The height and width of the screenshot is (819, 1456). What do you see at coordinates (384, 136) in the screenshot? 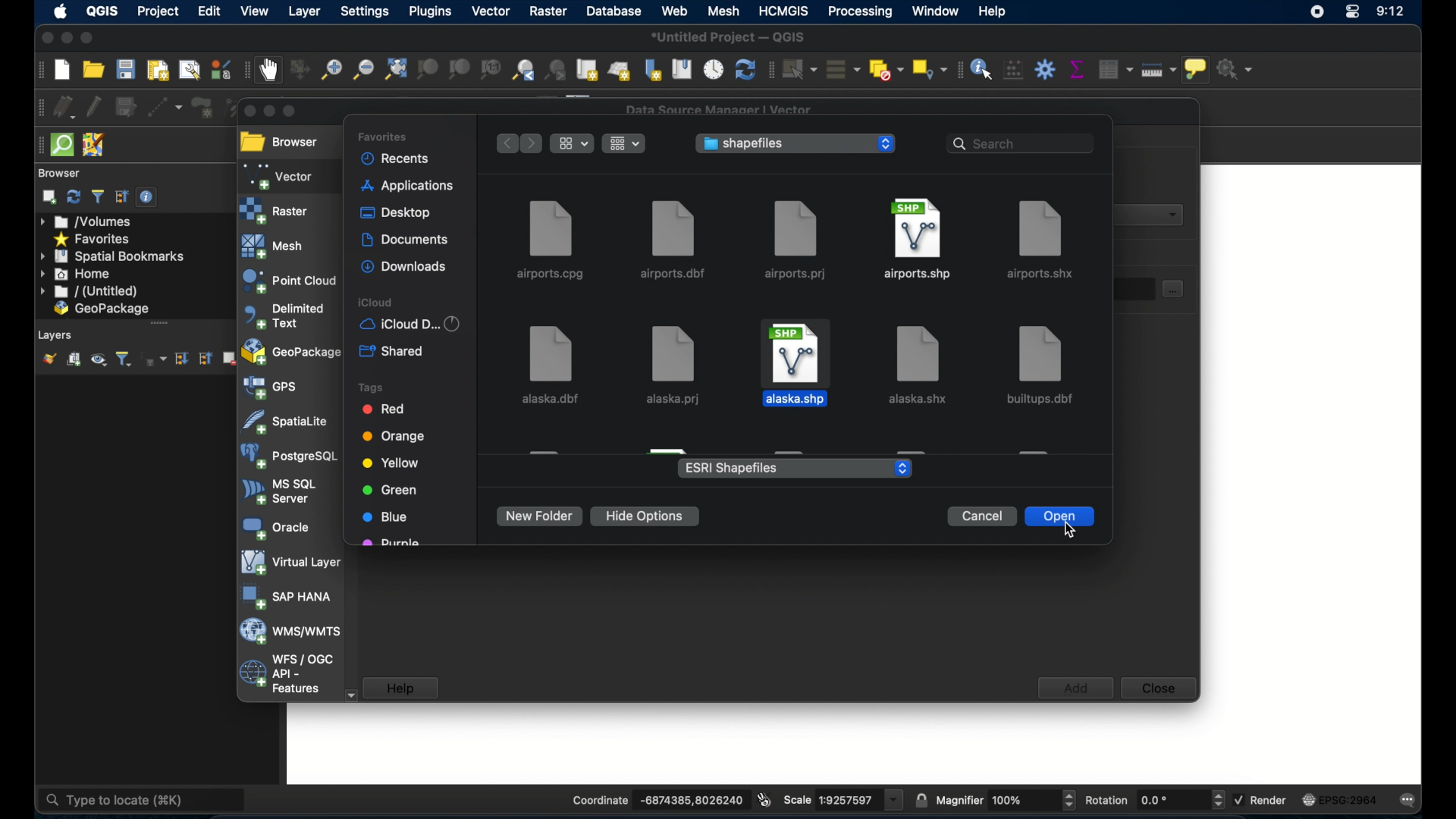
I see `favorites` at bounding box center [384, 136].